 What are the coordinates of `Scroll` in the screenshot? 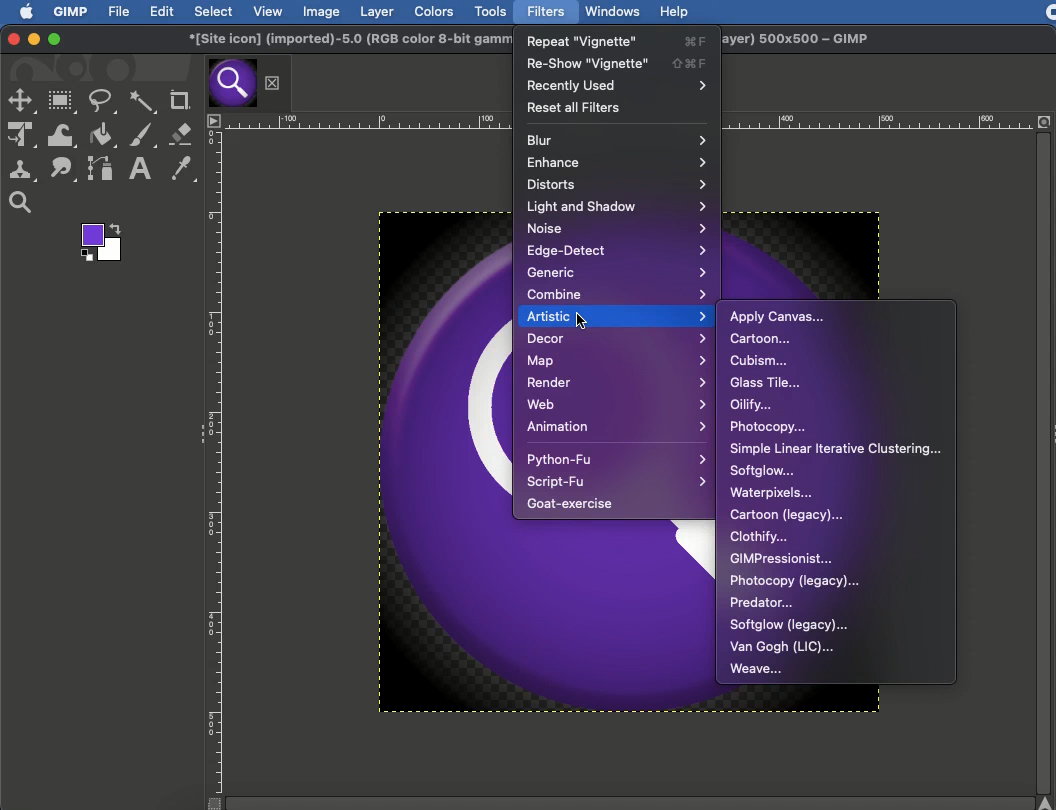 It's located at (617, 802).